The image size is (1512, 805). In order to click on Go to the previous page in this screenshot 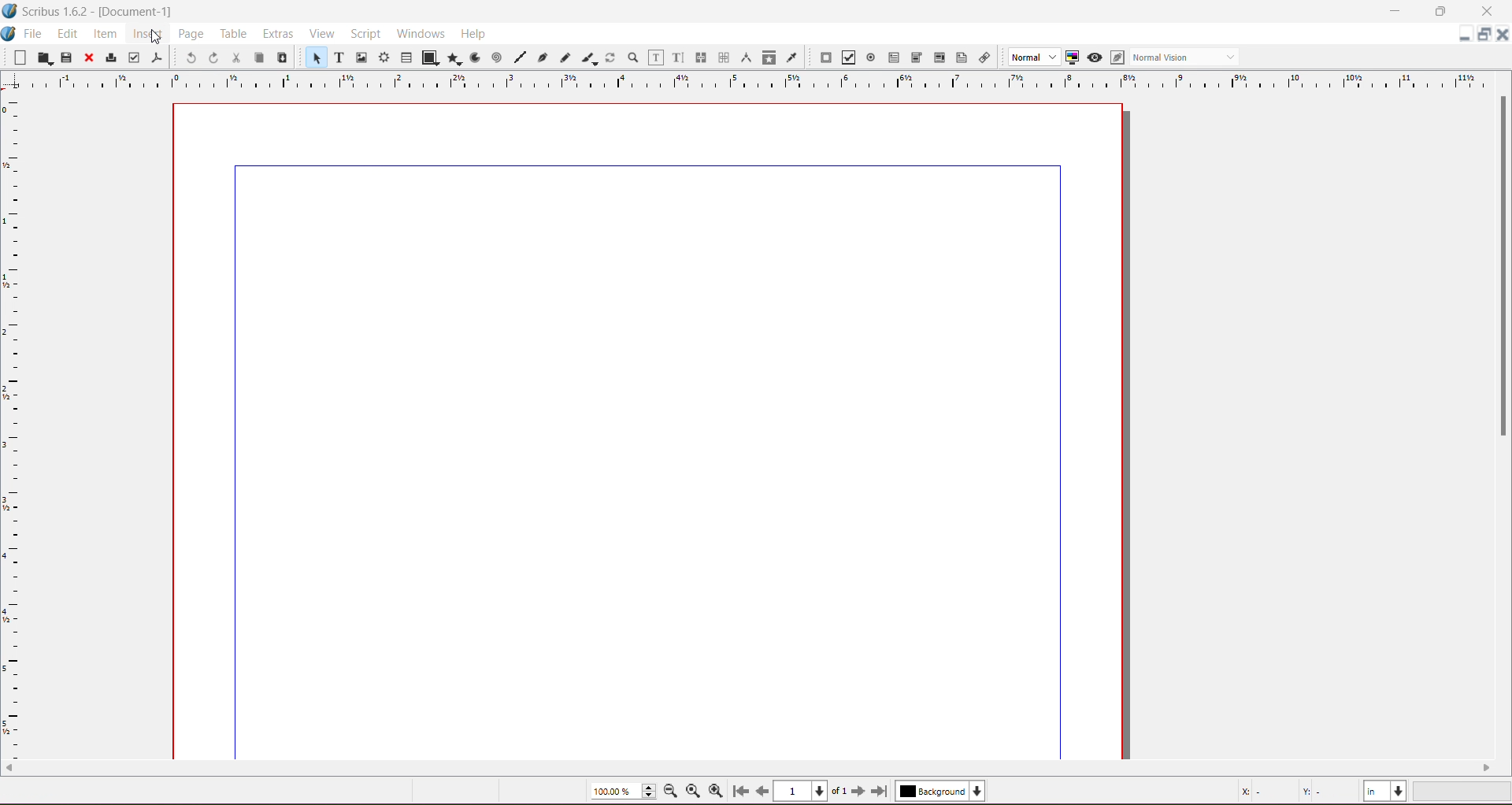, I will do `click(762, 791)`.